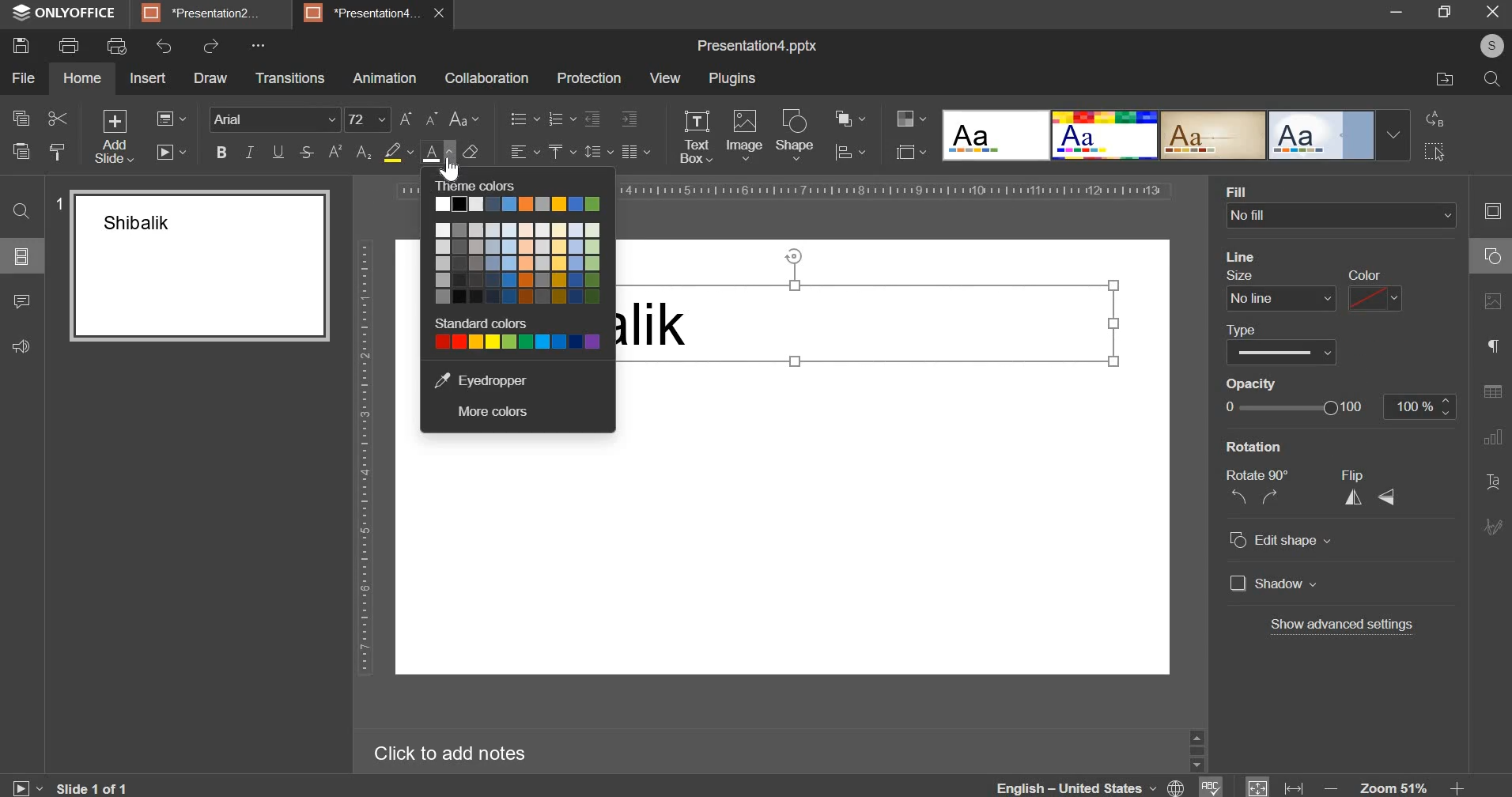 This screenshot has height=797, width=1512. What do you see at coordinates (1295, 786) in the screenshot?
I see `fit to width` at bounding box center [1295, 786].